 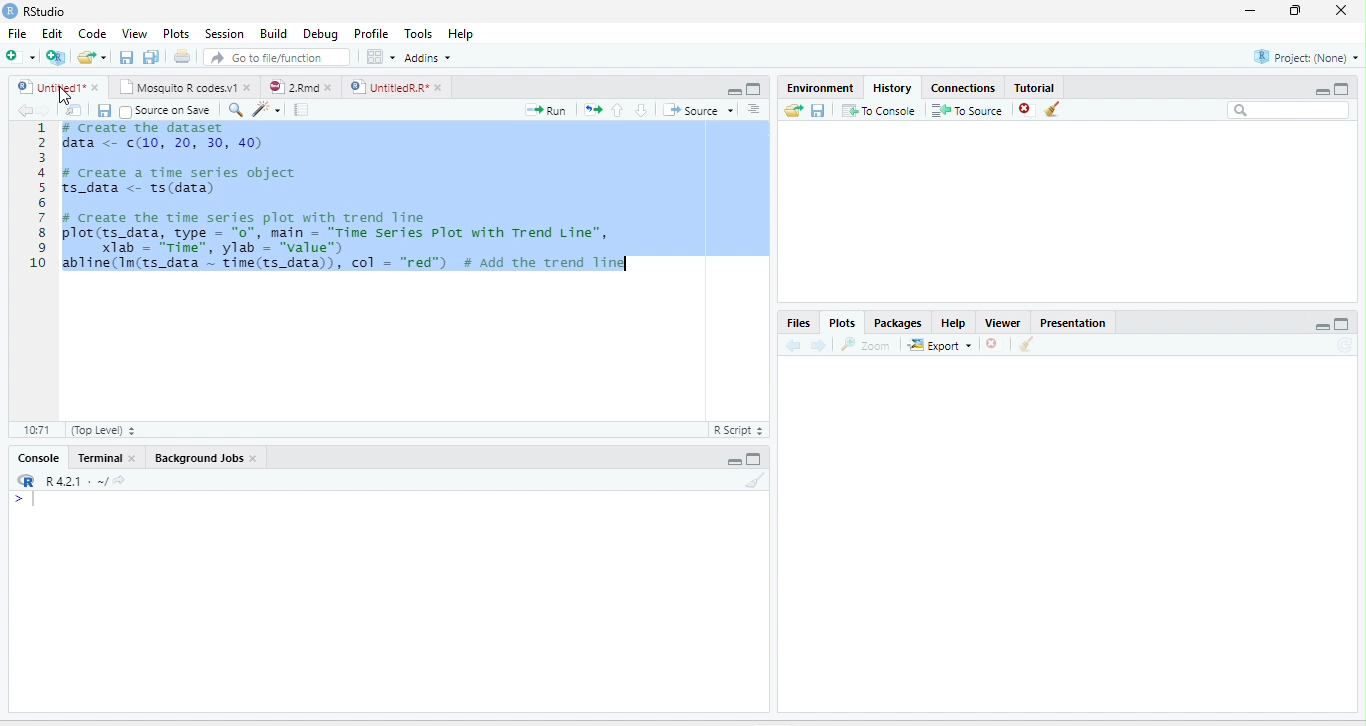 What do you see at coordinates (1073, 321) in the screenshot?
I see `Presentation` at bounding box center [1073, 321].